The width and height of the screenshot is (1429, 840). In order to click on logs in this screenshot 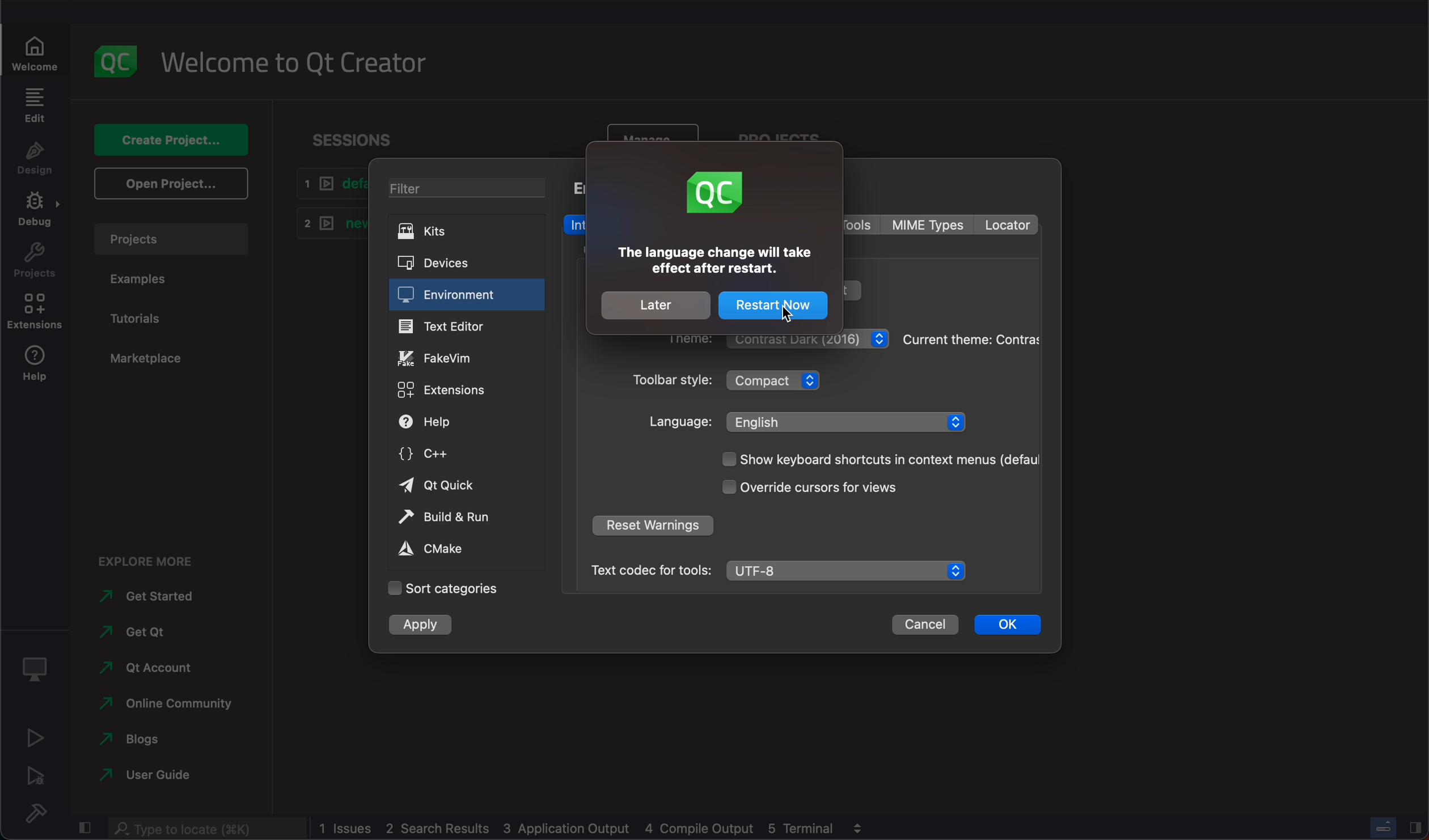, I will do `click(578, 828)`.